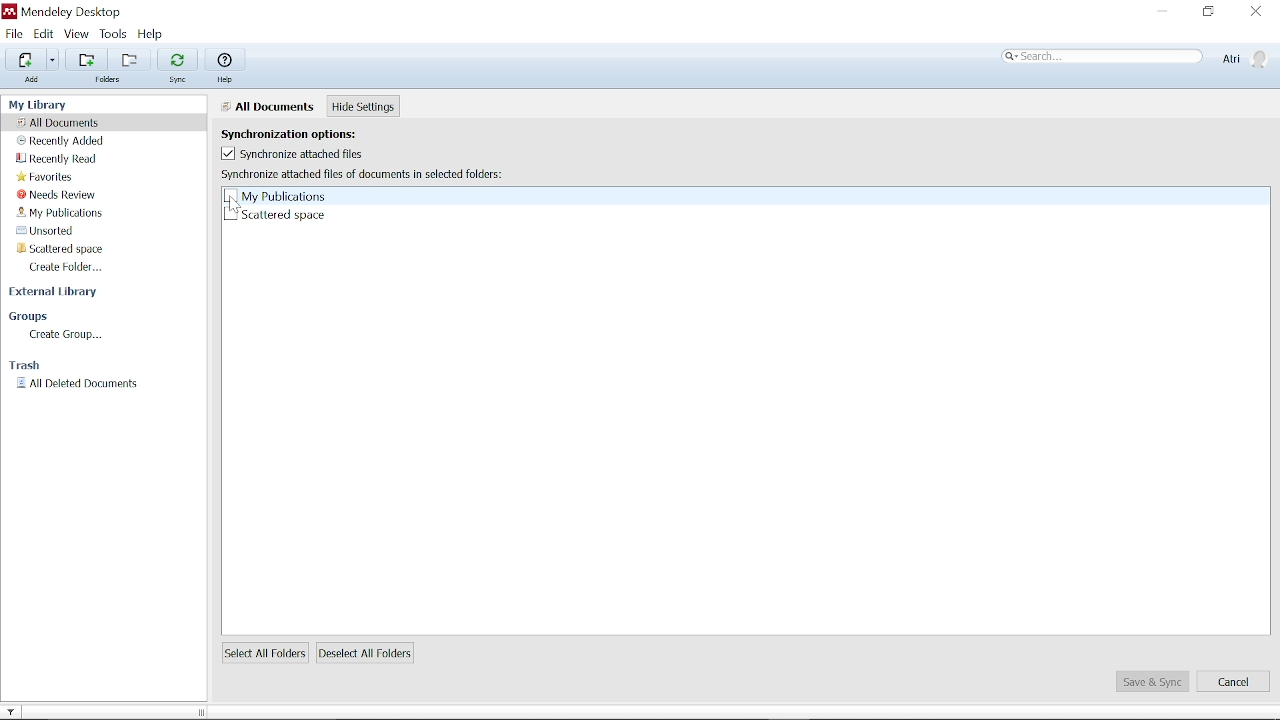  What do you see at coordinates (291, 154) in the screenshot?
I see `Synchronize attached files` at bounding box center [291, 154].